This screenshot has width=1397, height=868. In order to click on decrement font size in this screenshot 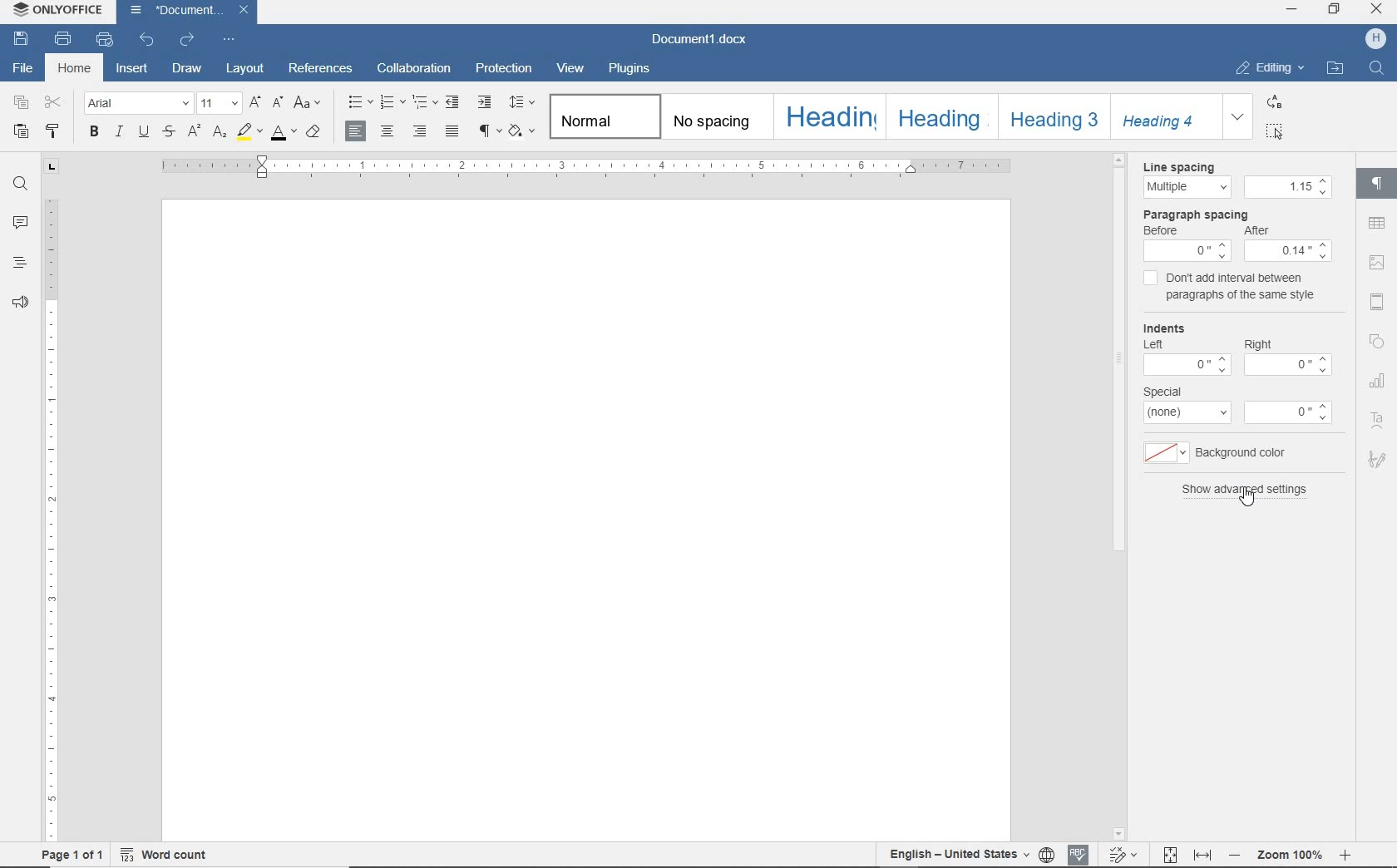, I will do `click(277, 102)`.